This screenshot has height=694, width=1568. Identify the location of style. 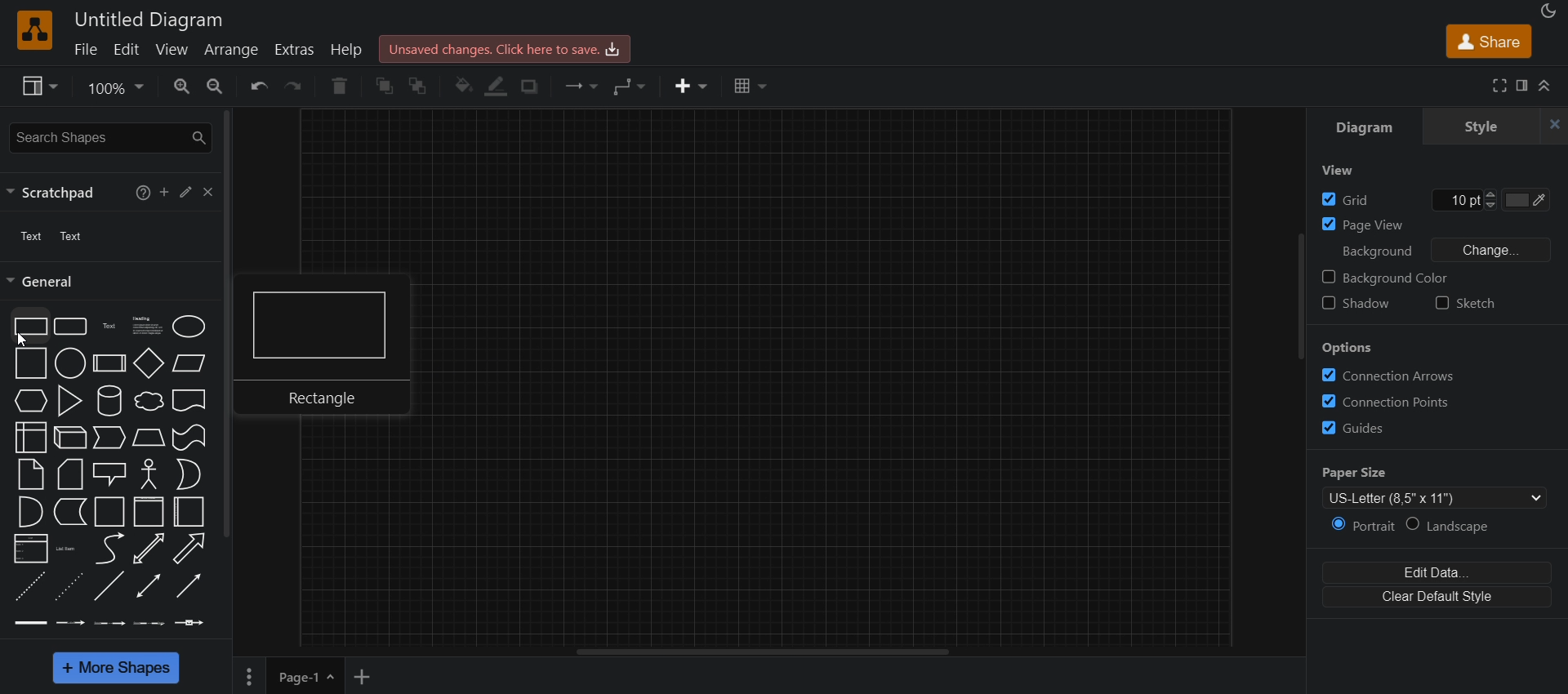
(1483, 126).